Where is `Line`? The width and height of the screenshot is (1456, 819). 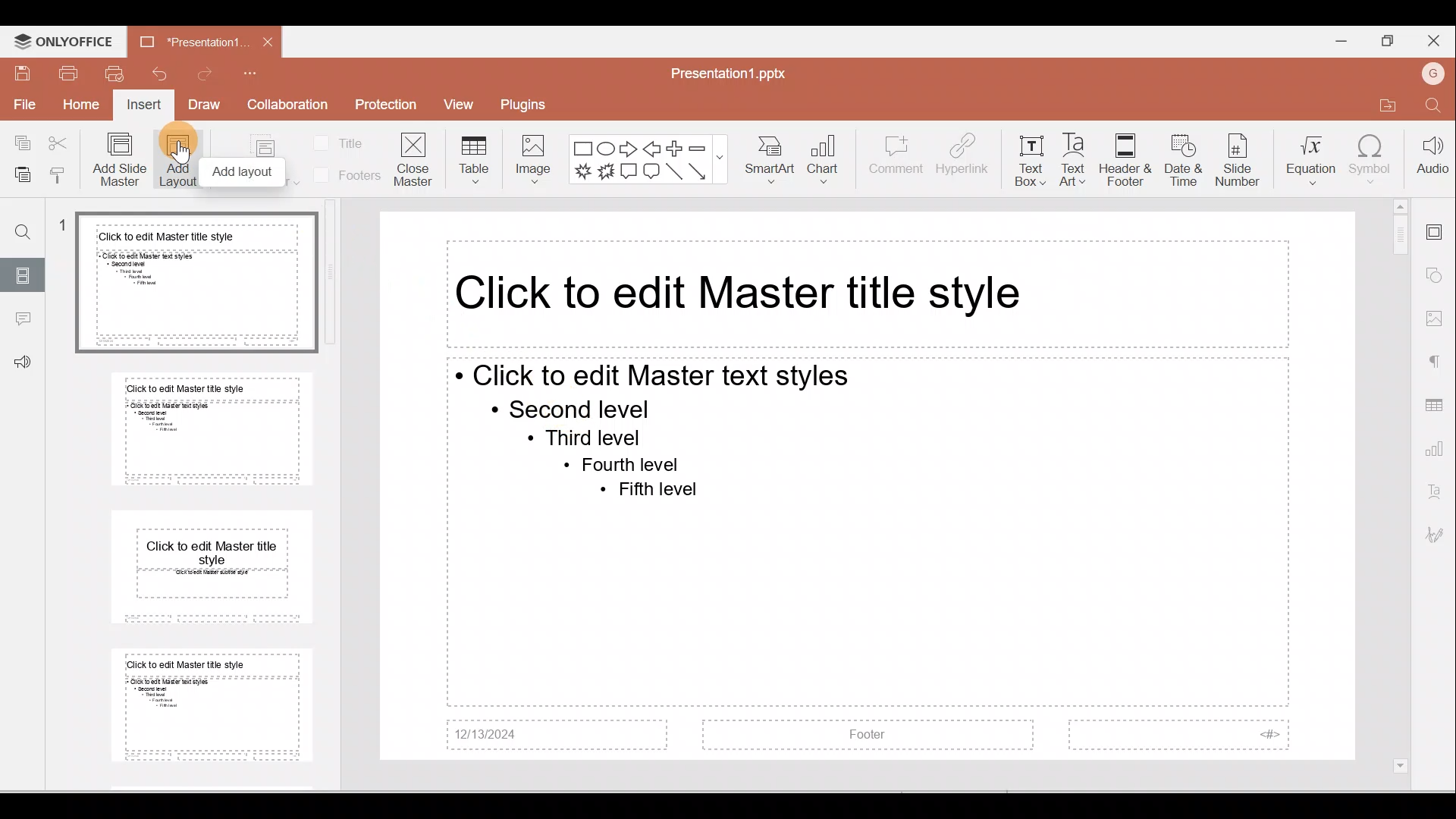
Line is located at coordinates (673, 171).